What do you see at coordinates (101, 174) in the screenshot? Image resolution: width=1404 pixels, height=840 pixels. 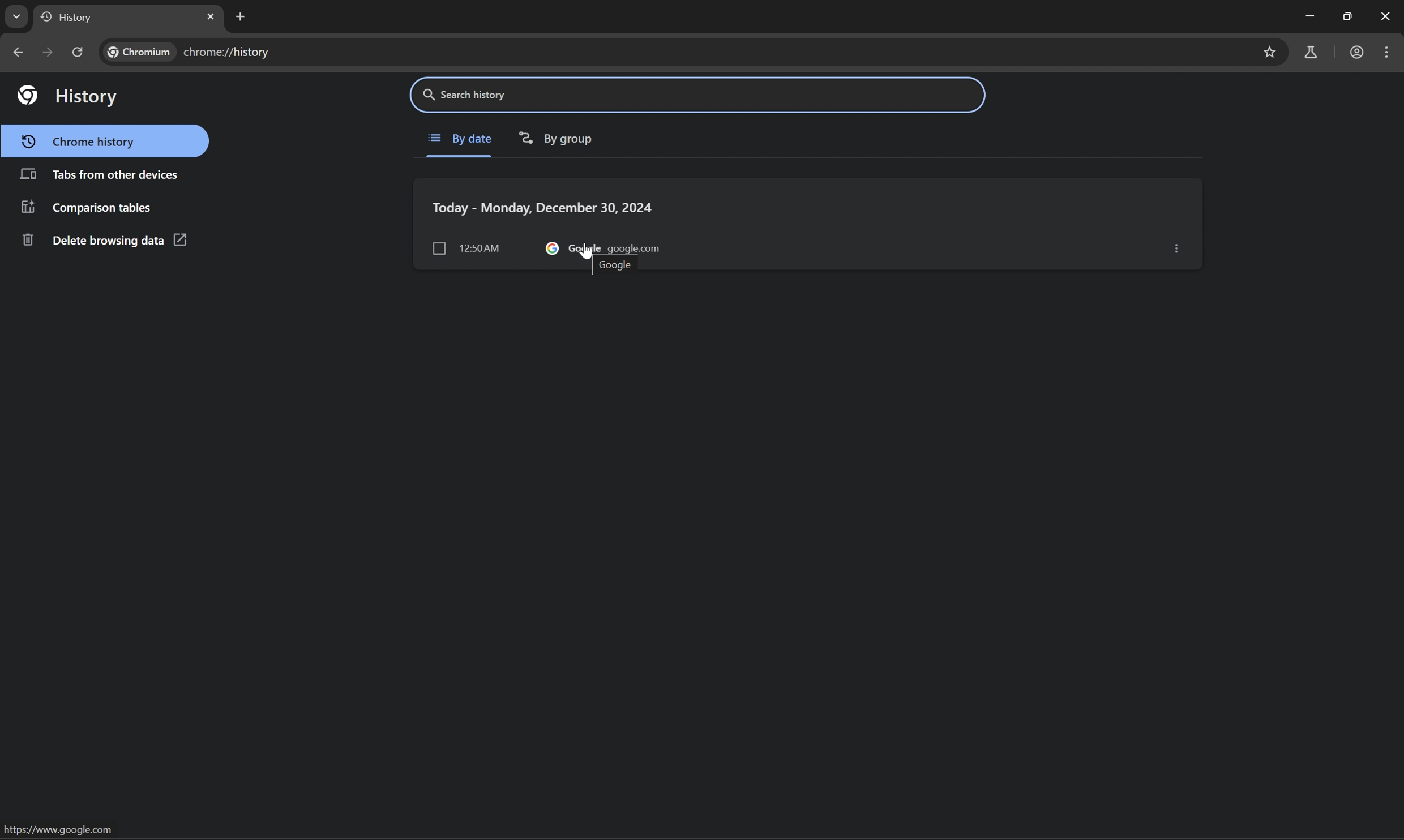 I see `tabs from other devices` at bounding box center [101, 174].